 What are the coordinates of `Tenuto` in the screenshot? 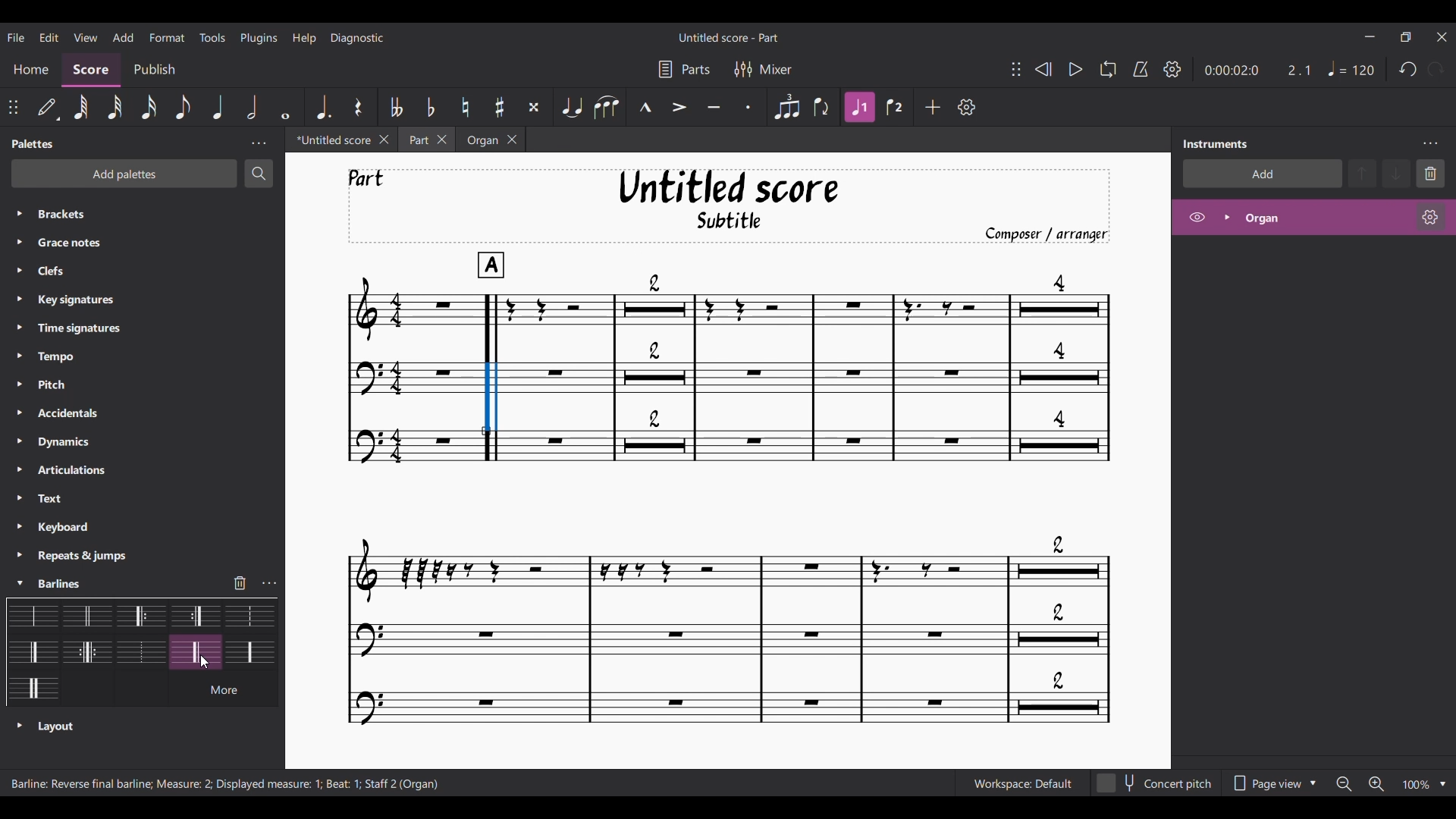 It's located at (714, 107).